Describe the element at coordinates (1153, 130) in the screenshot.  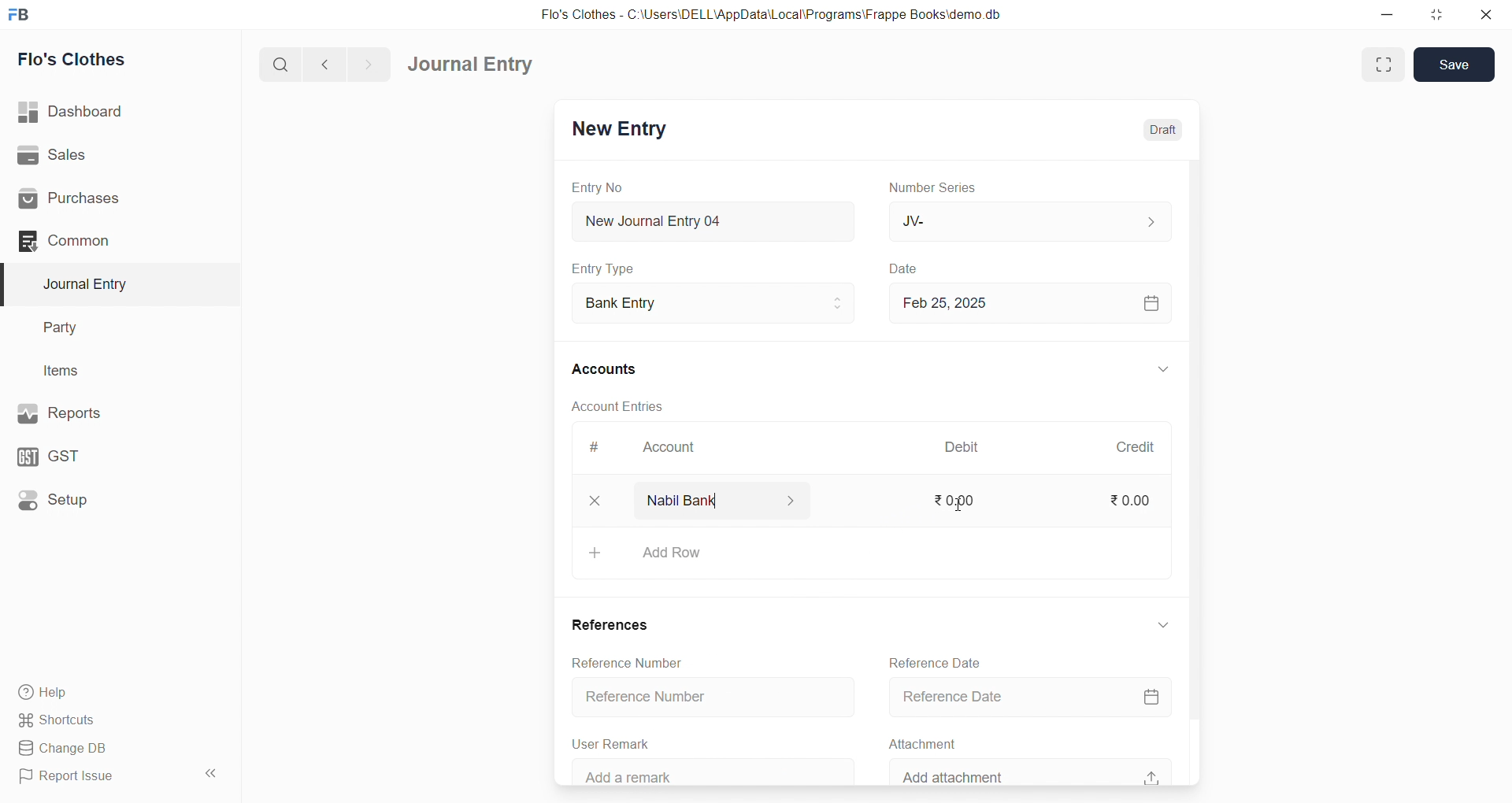
I see `Draft` at that location.